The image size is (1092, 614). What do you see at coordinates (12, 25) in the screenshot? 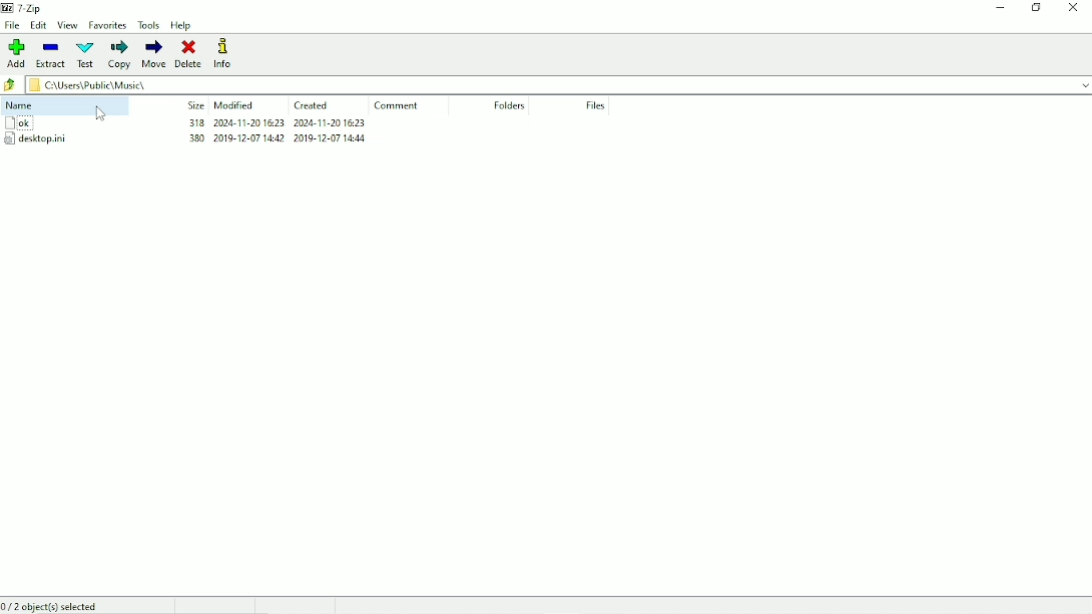
I see `File` at bounding box center [12, 25].